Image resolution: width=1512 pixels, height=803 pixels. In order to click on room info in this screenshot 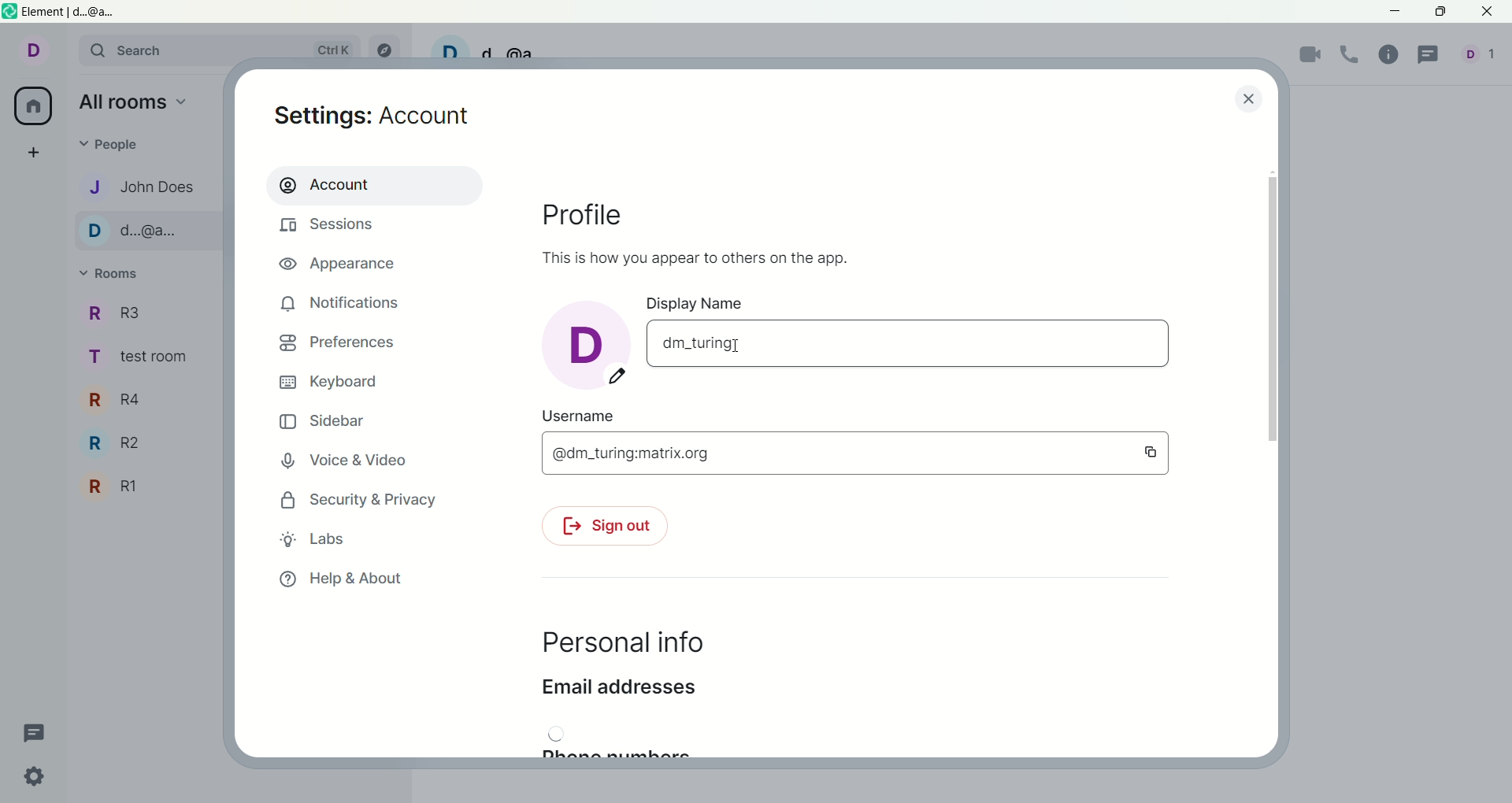, I will do `click(1393, 54)`.